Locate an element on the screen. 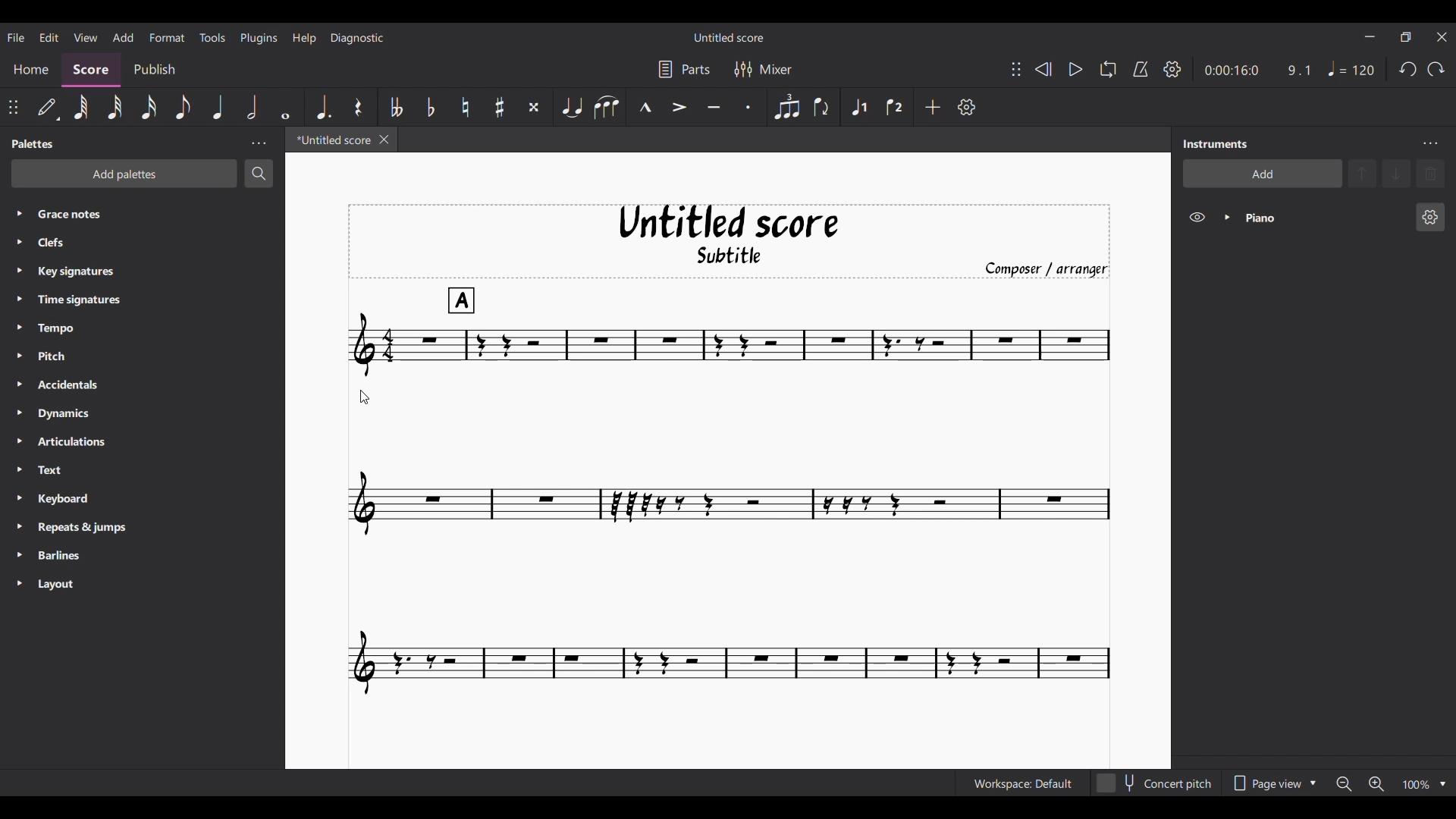  Tenuto is located at coordinates (714, 106).